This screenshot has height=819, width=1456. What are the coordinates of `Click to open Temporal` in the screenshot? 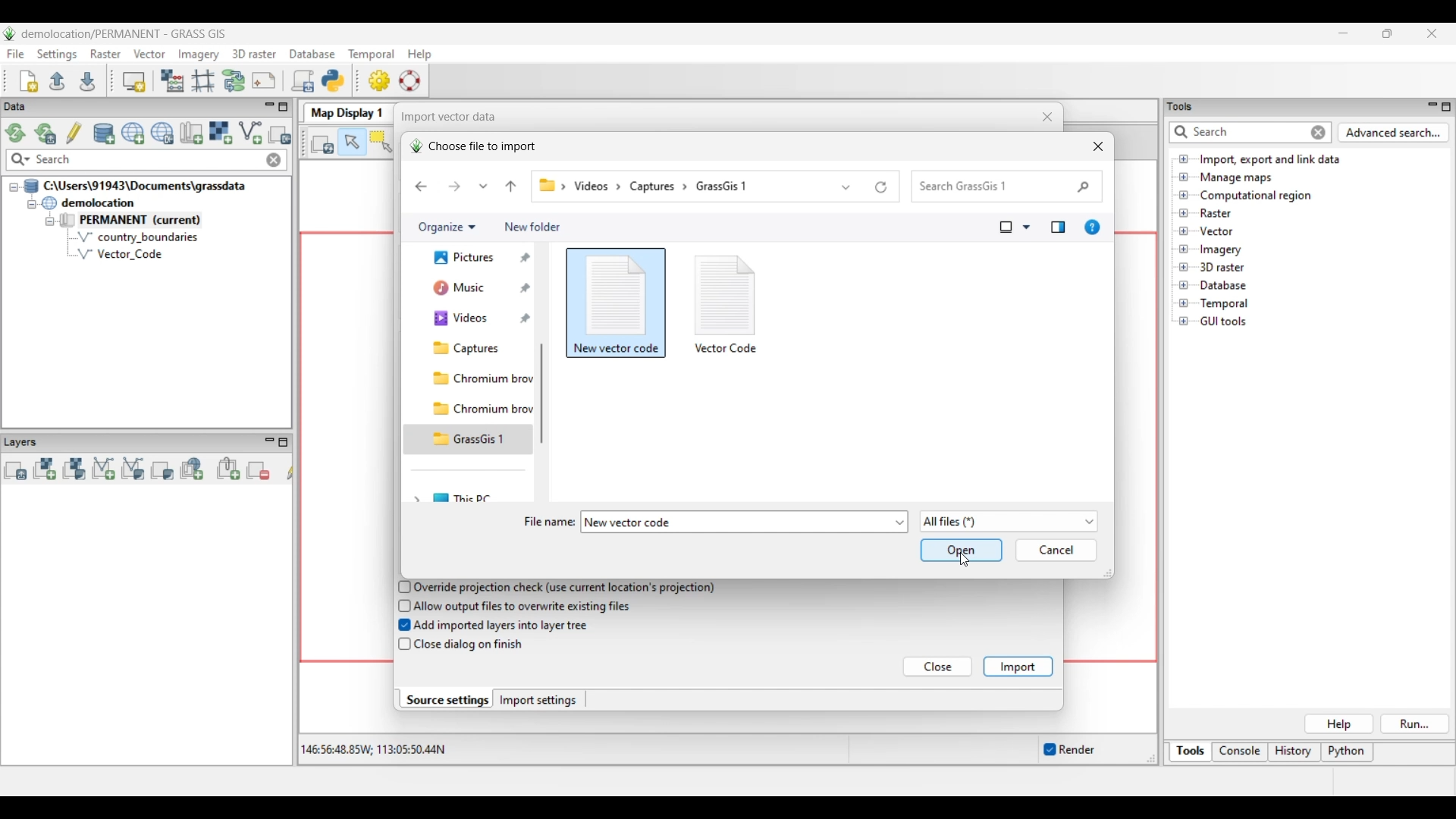 It's located at (1184, 303).